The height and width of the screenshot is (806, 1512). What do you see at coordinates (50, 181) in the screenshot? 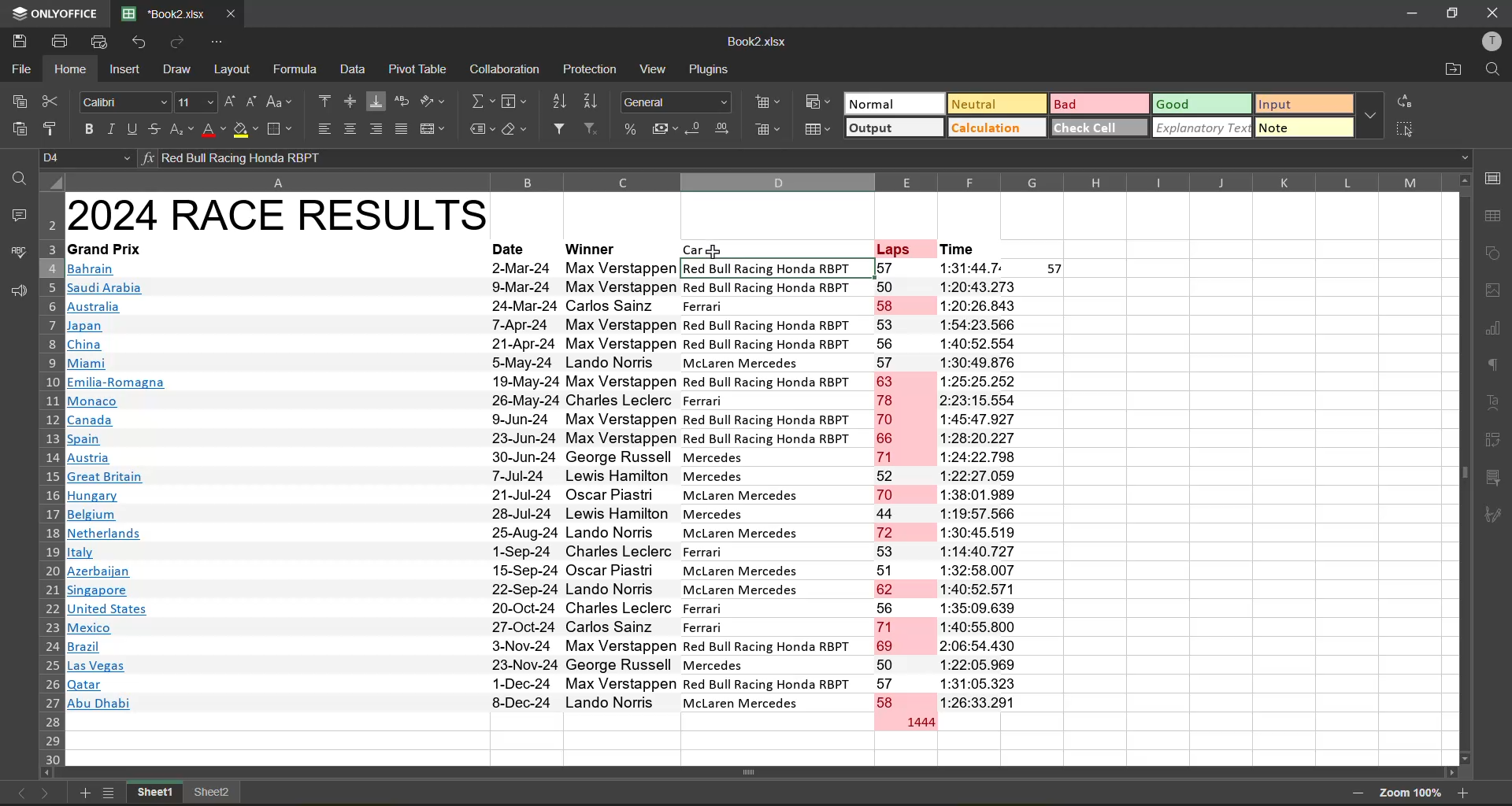
I see `Select all` at bounding box center [50, 181].